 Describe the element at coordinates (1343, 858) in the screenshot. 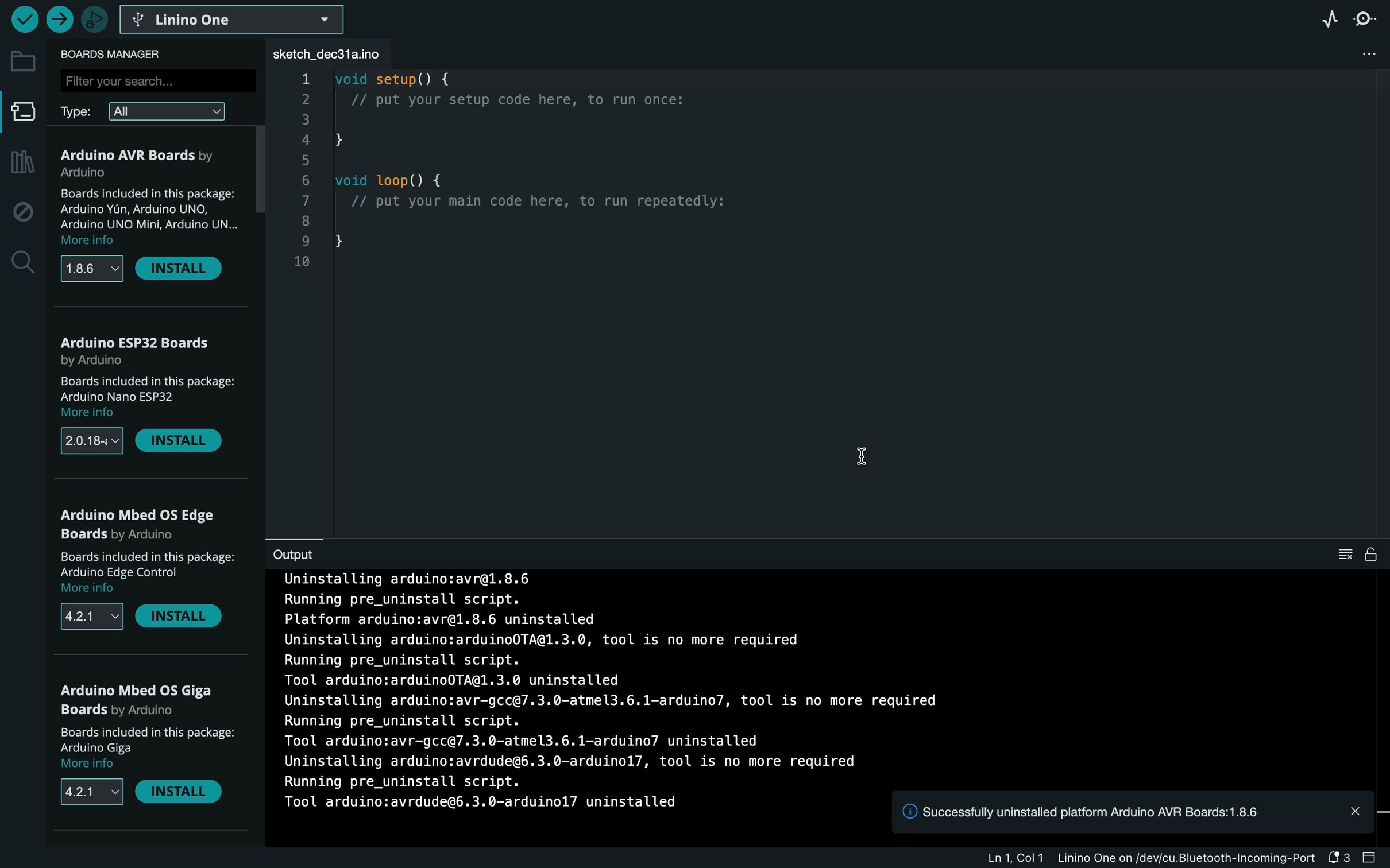

I see `notification` at that location.